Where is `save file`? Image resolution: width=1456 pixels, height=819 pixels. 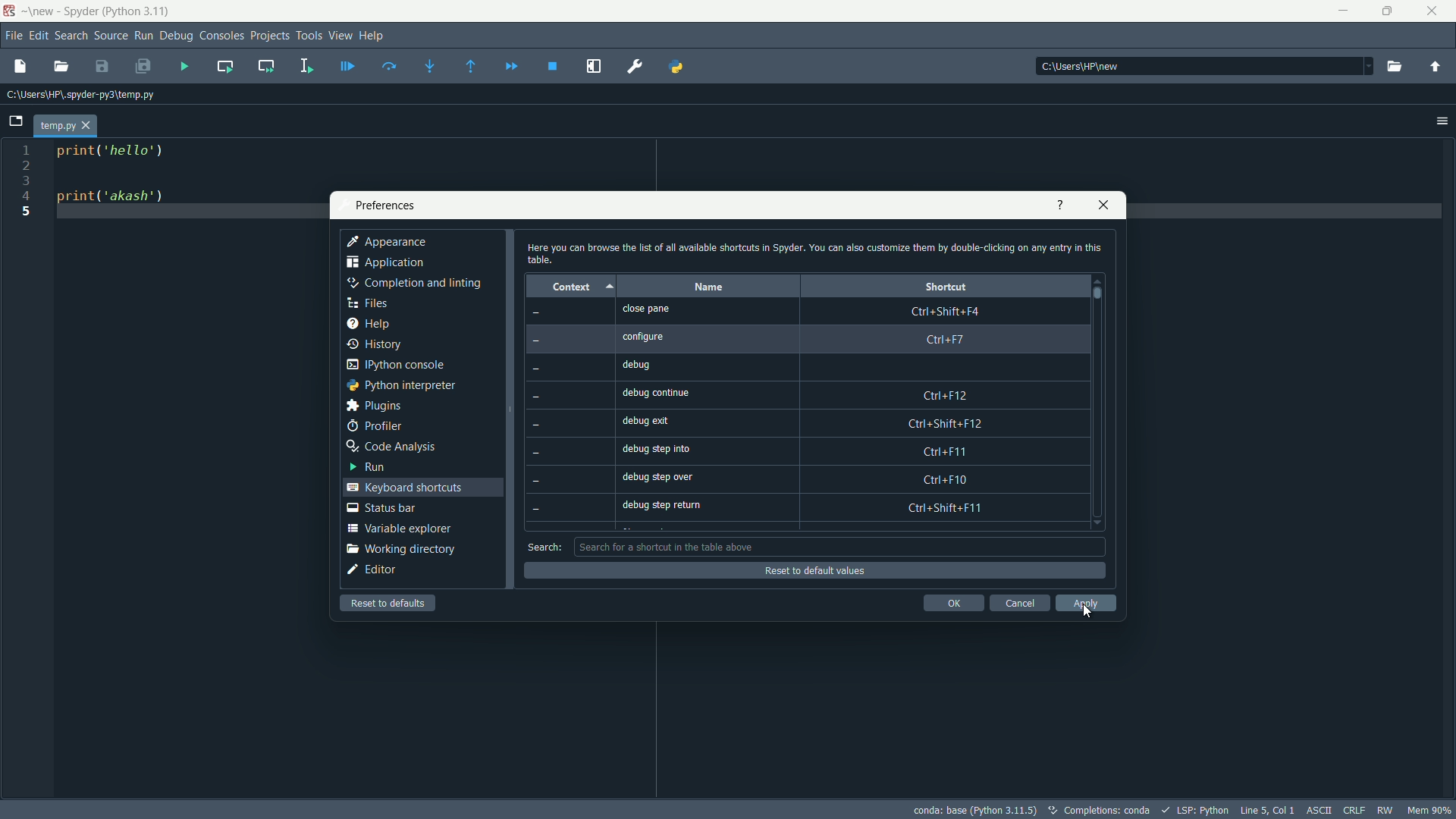 save file is located at coordinates (101, 67).